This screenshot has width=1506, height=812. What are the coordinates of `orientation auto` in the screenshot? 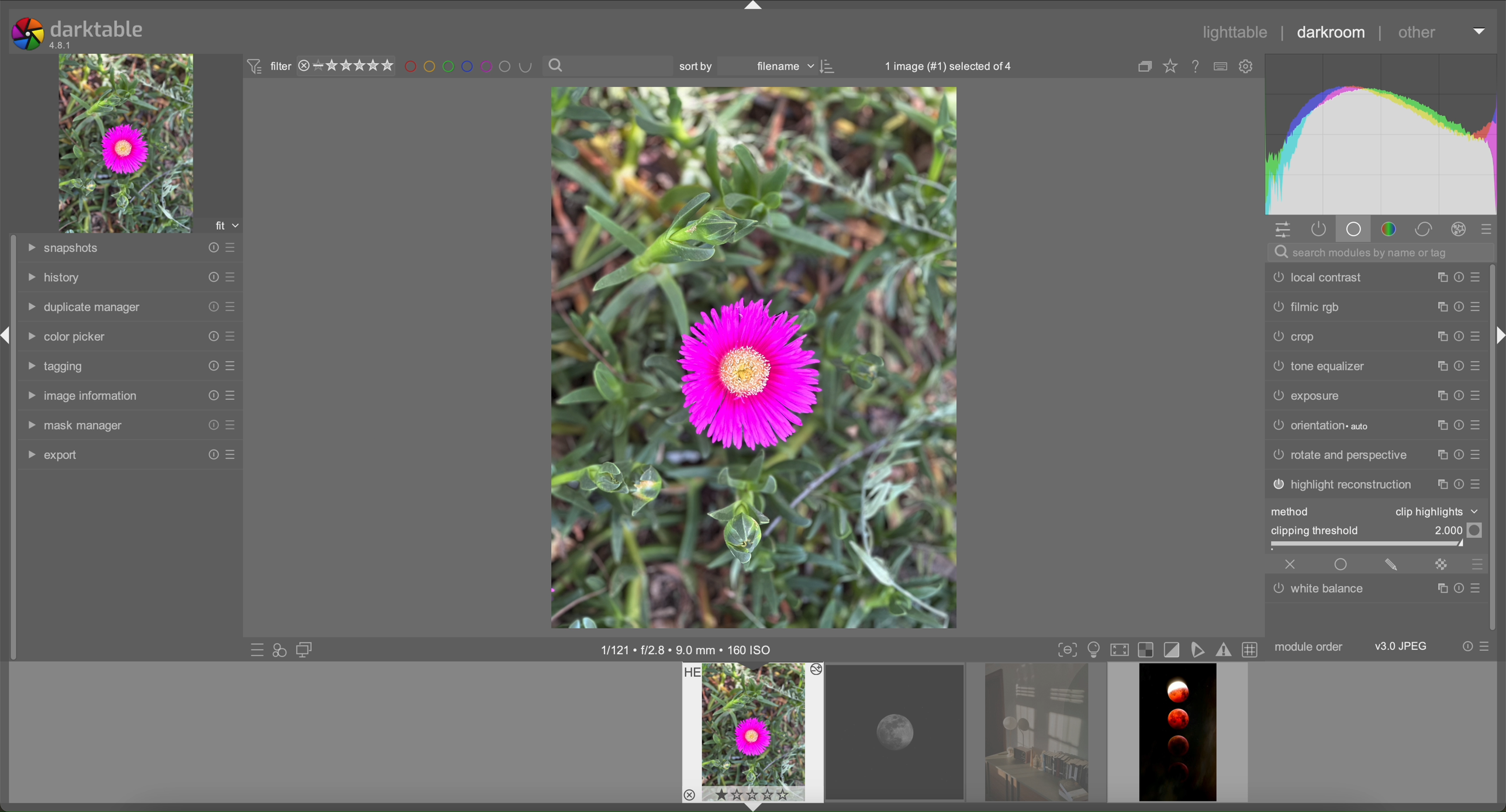 It's located at (1320, 424).